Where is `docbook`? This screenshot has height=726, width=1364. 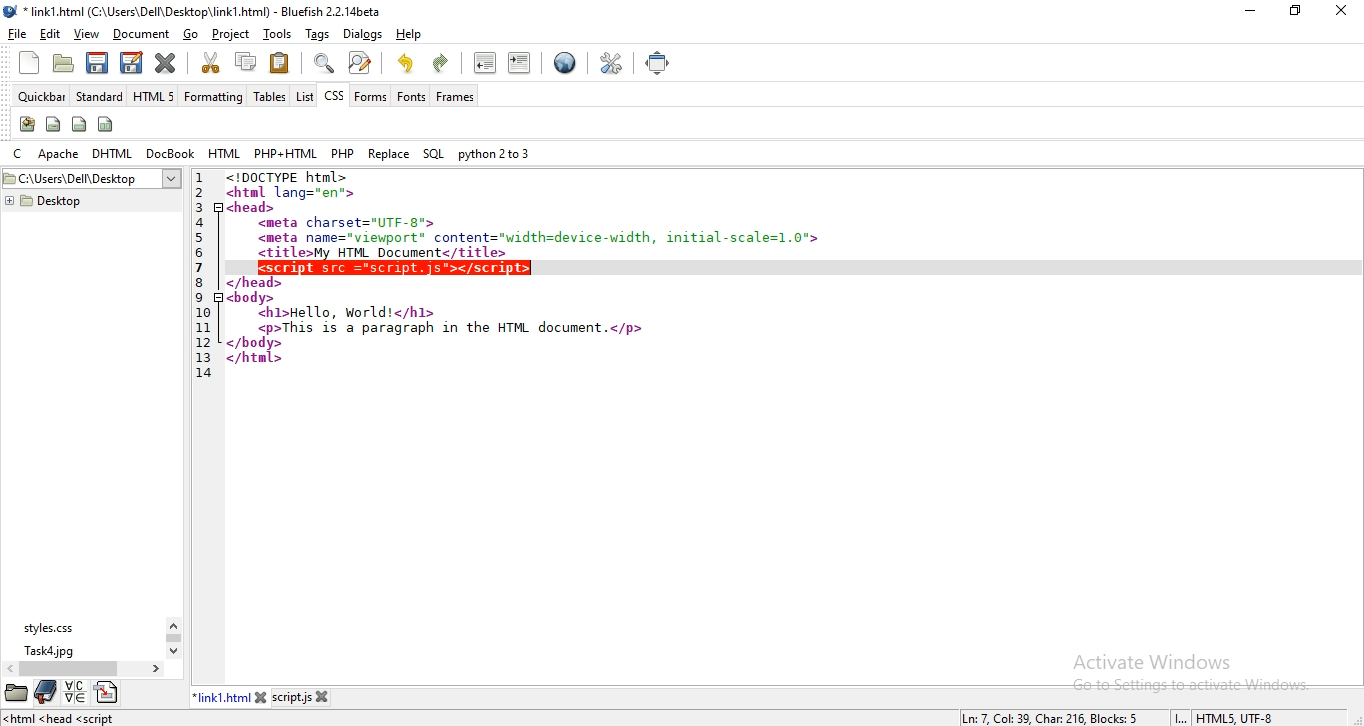
docbook is located at coordinates (169, 153).